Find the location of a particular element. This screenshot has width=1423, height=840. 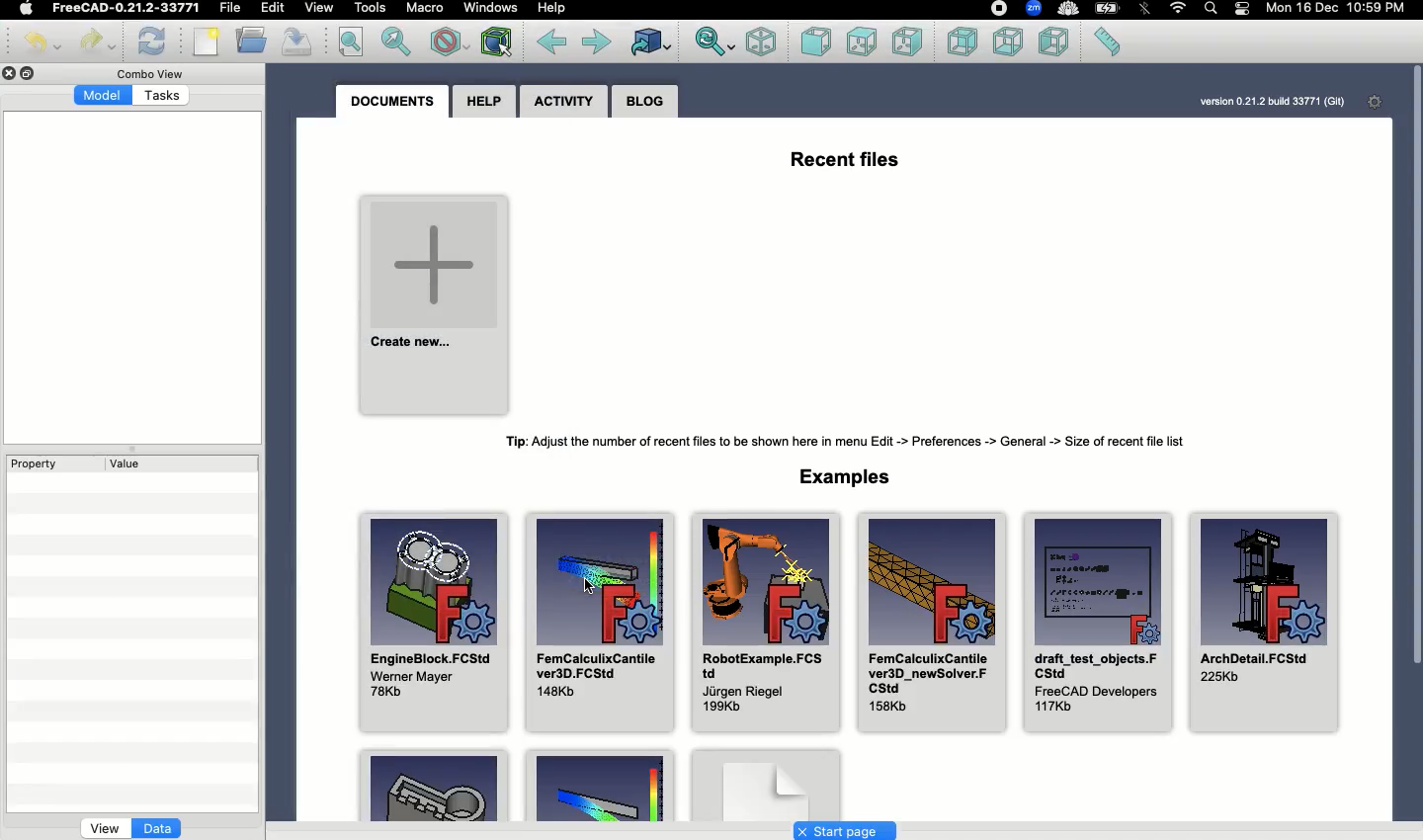

Fit all is located at coordinates (351, 43).